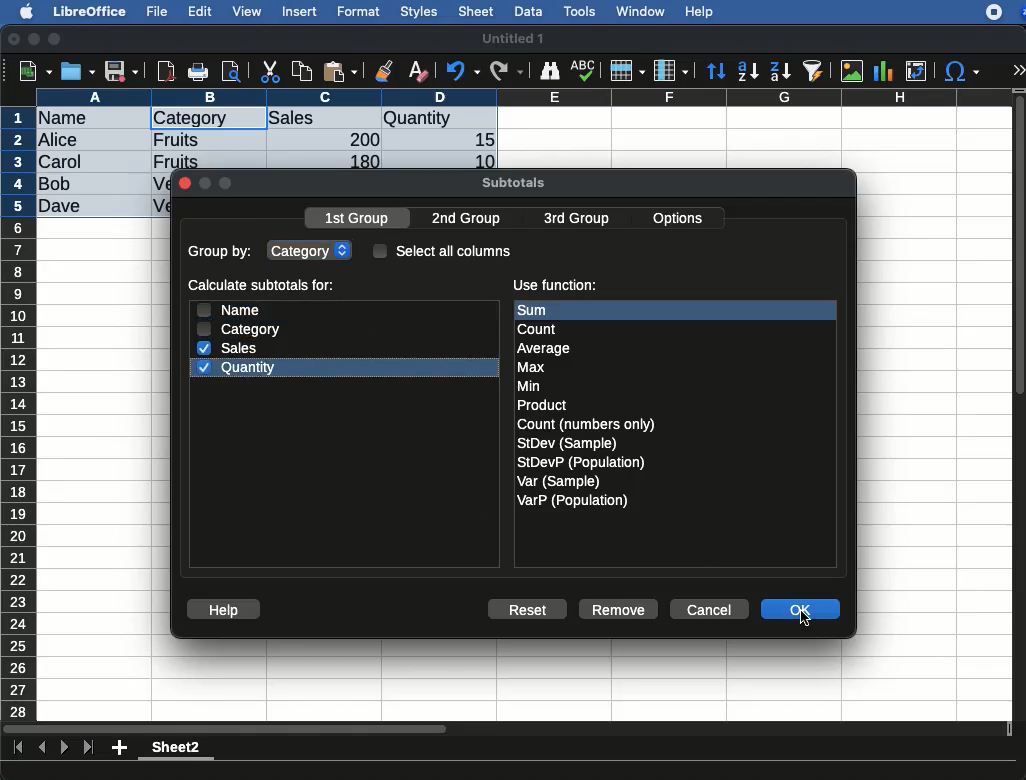  What do you see at coordinates (680, 215) in the screenshot?
I see `options ` at bounding box center [680, 215].